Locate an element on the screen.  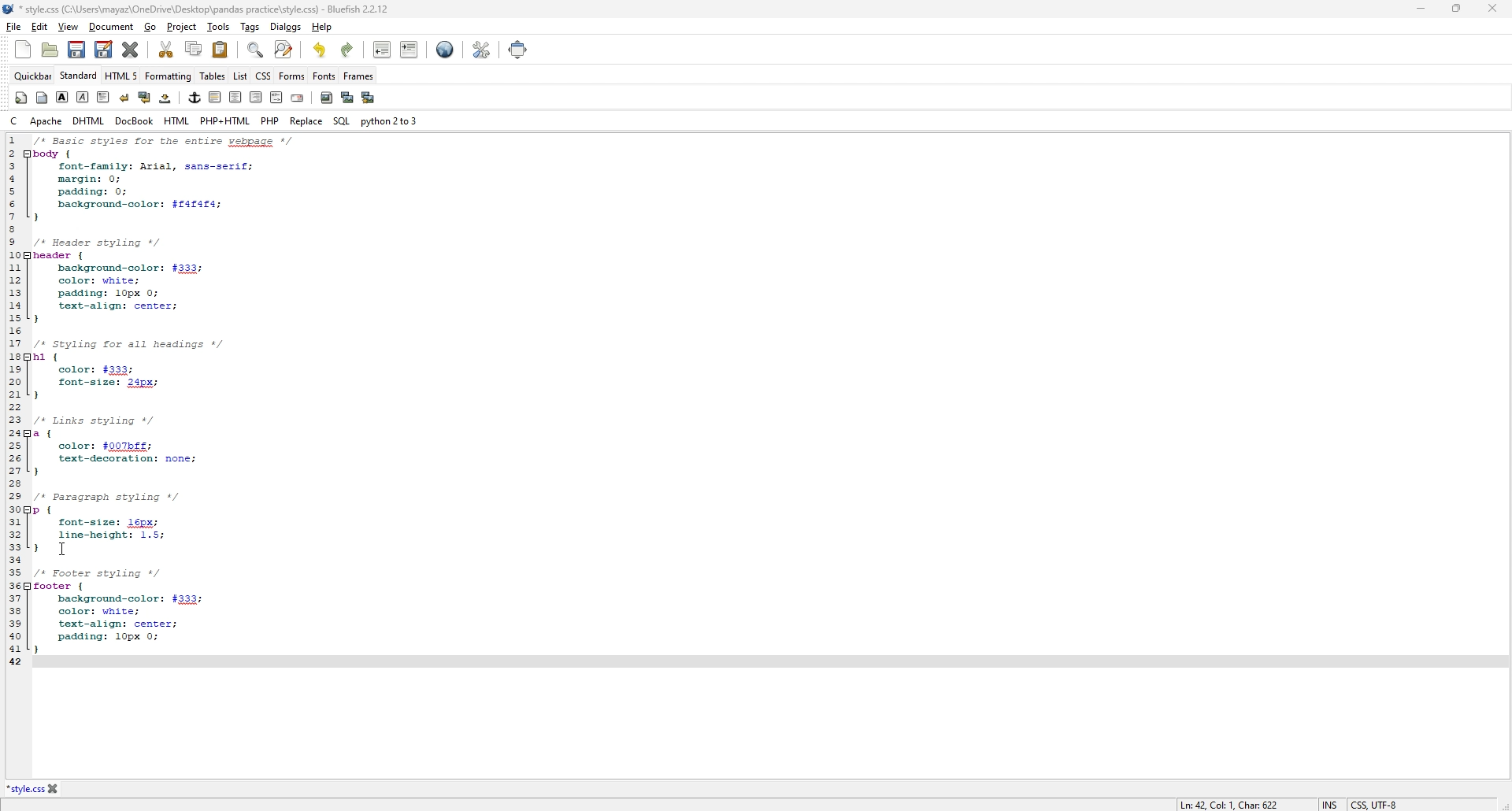
horizontal rule is located at coordinates (215, 97).